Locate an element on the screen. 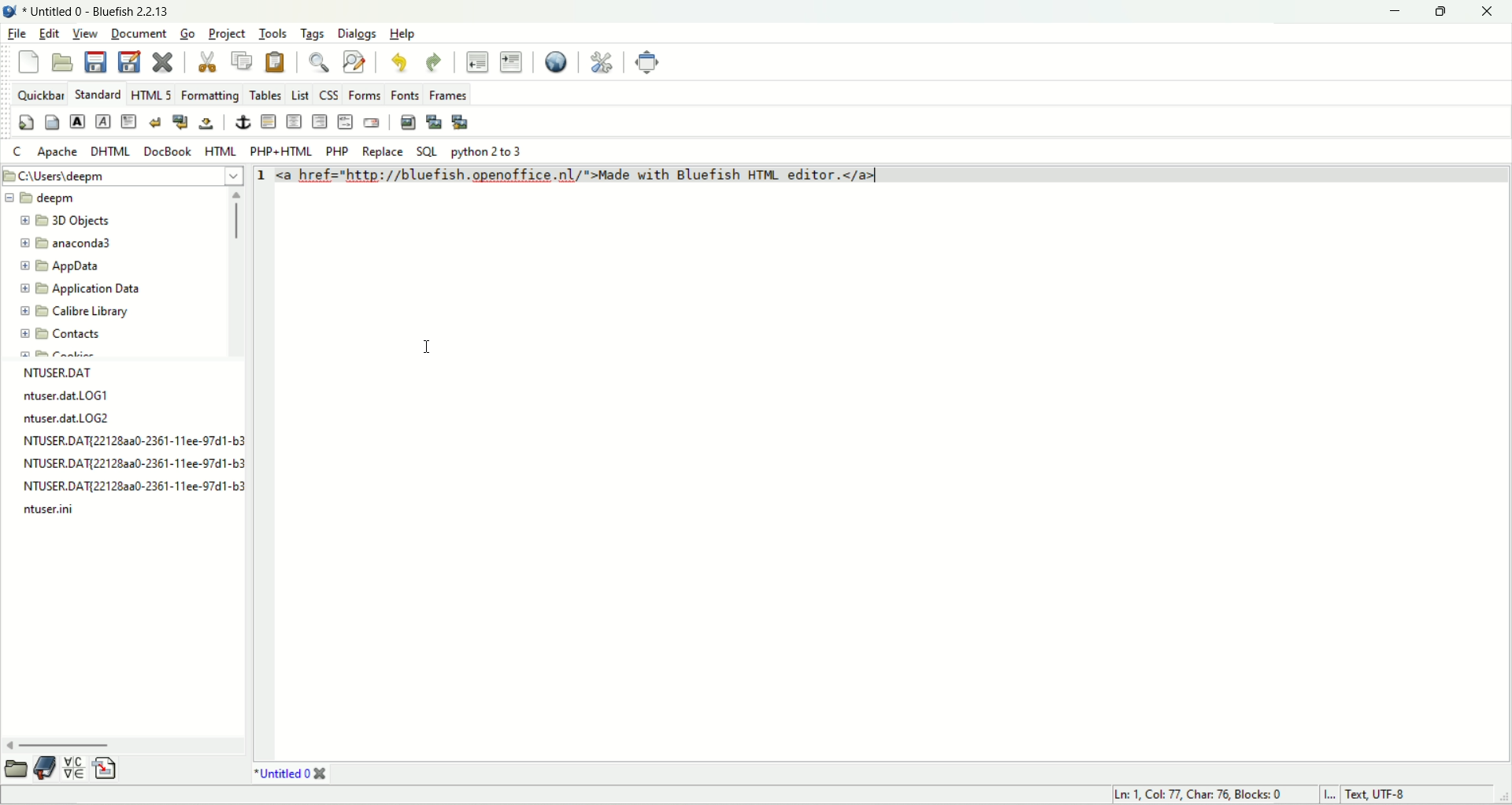 Image resolution: width=1512 pixels, height=805 pixels. untitled is located at coordinates (290, 773).